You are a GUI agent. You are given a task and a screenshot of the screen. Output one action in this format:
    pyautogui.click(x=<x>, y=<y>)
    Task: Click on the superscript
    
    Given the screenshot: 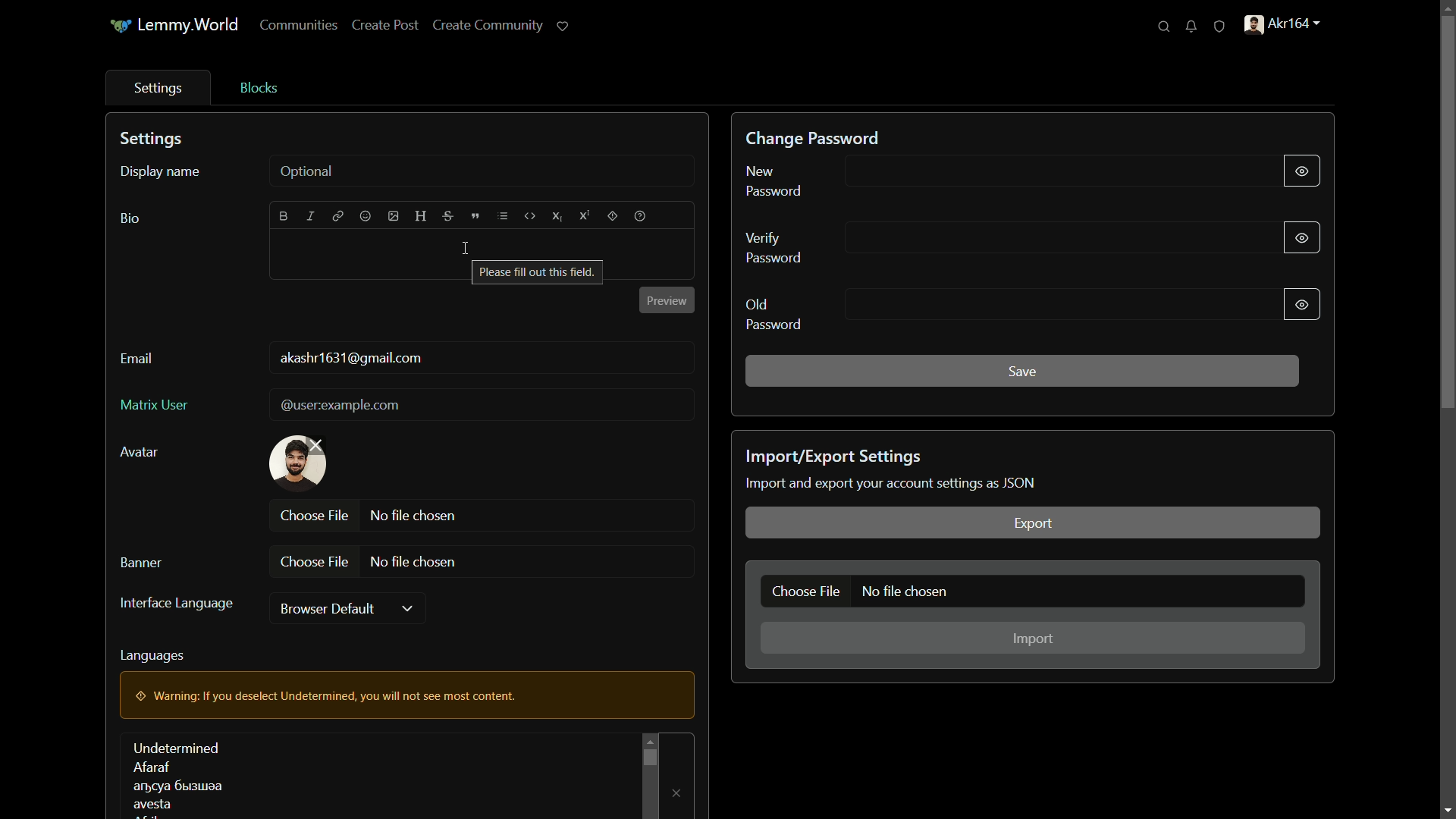 What is the action you would take?
    pyautogui.click(x=585, y=216)
    